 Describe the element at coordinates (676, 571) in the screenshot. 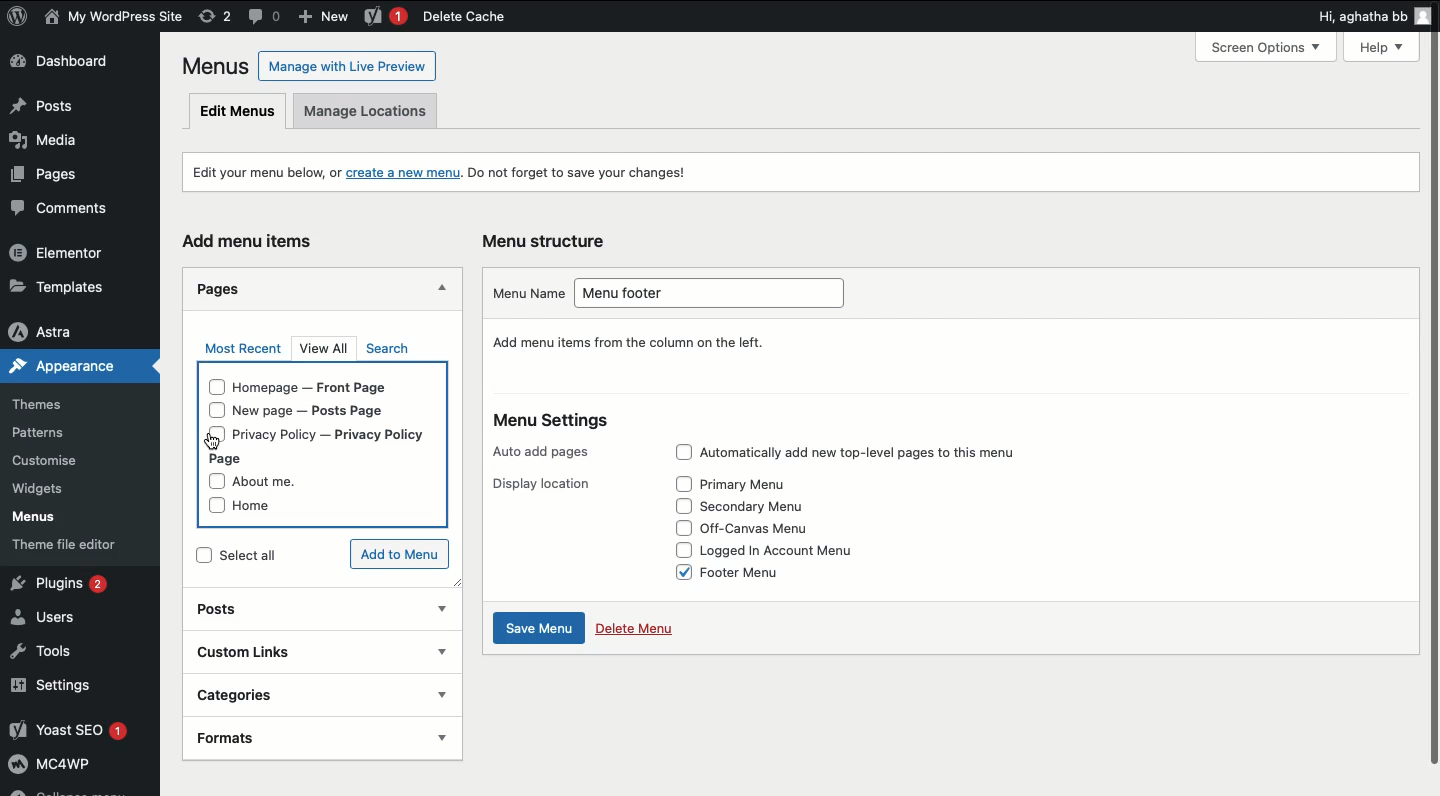

I see `Check box` at that location.